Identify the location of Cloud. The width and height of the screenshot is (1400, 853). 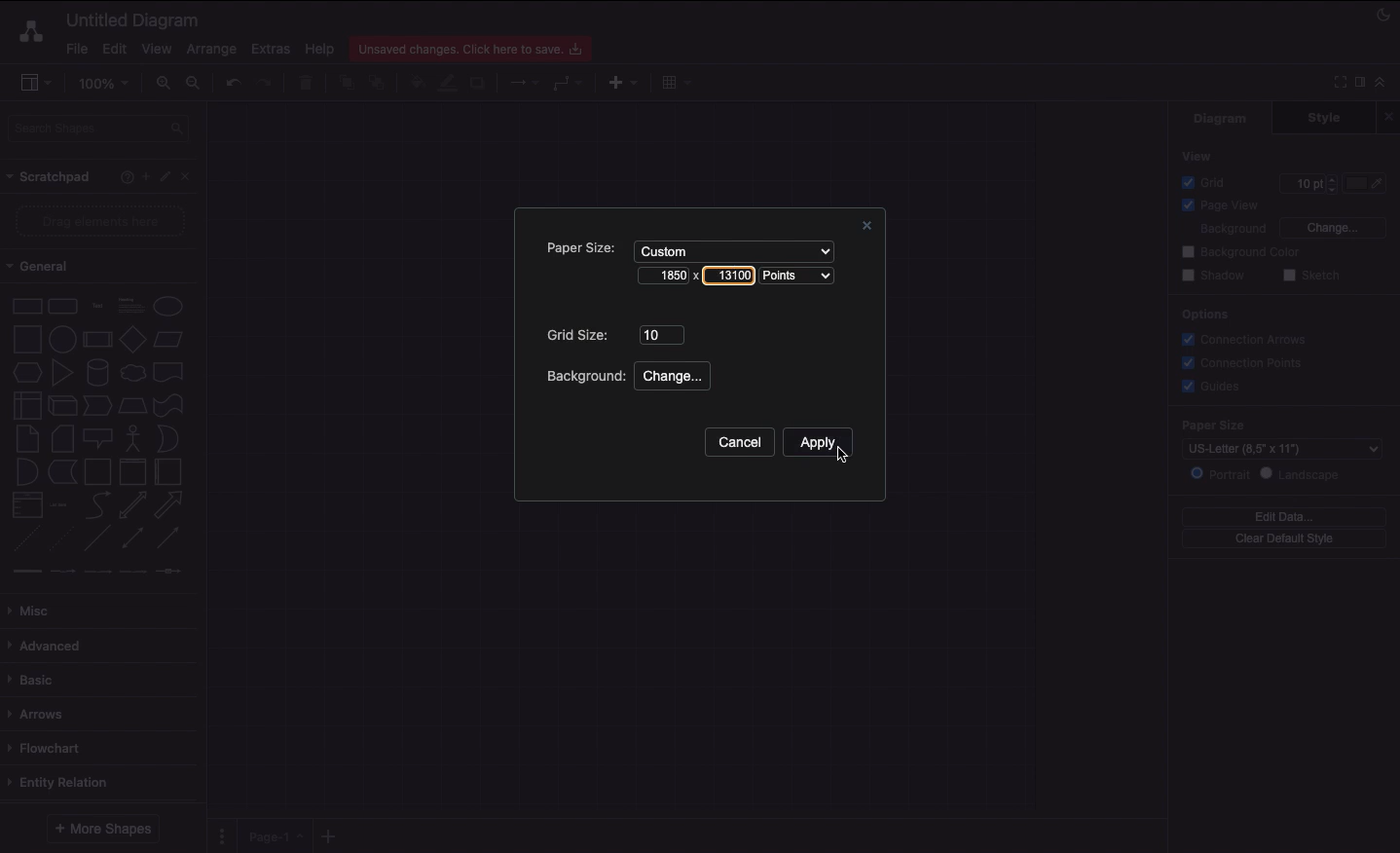
(131, 373).